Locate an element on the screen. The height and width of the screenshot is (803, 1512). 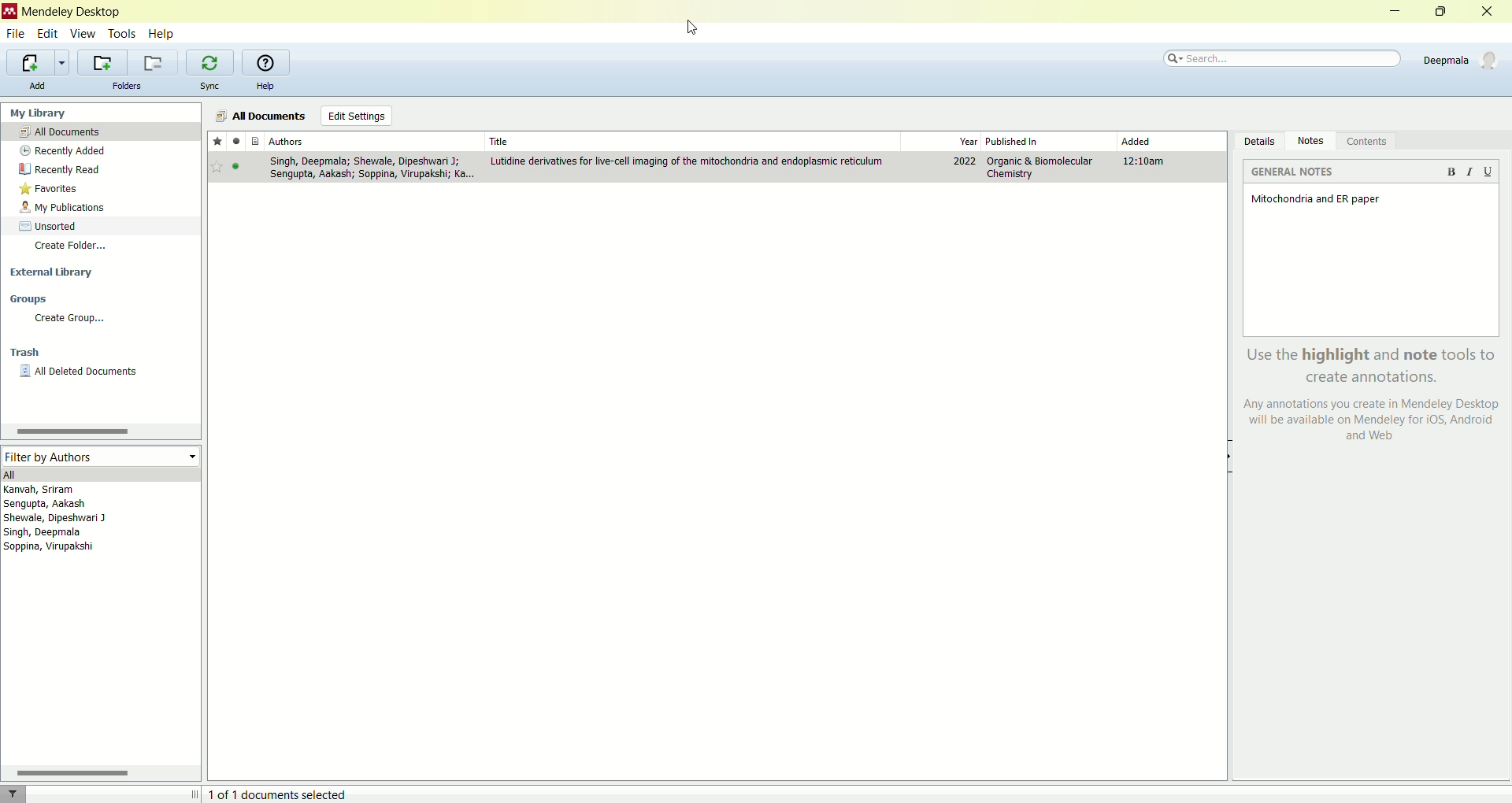
all documnets is located at coordinates (261, 115).